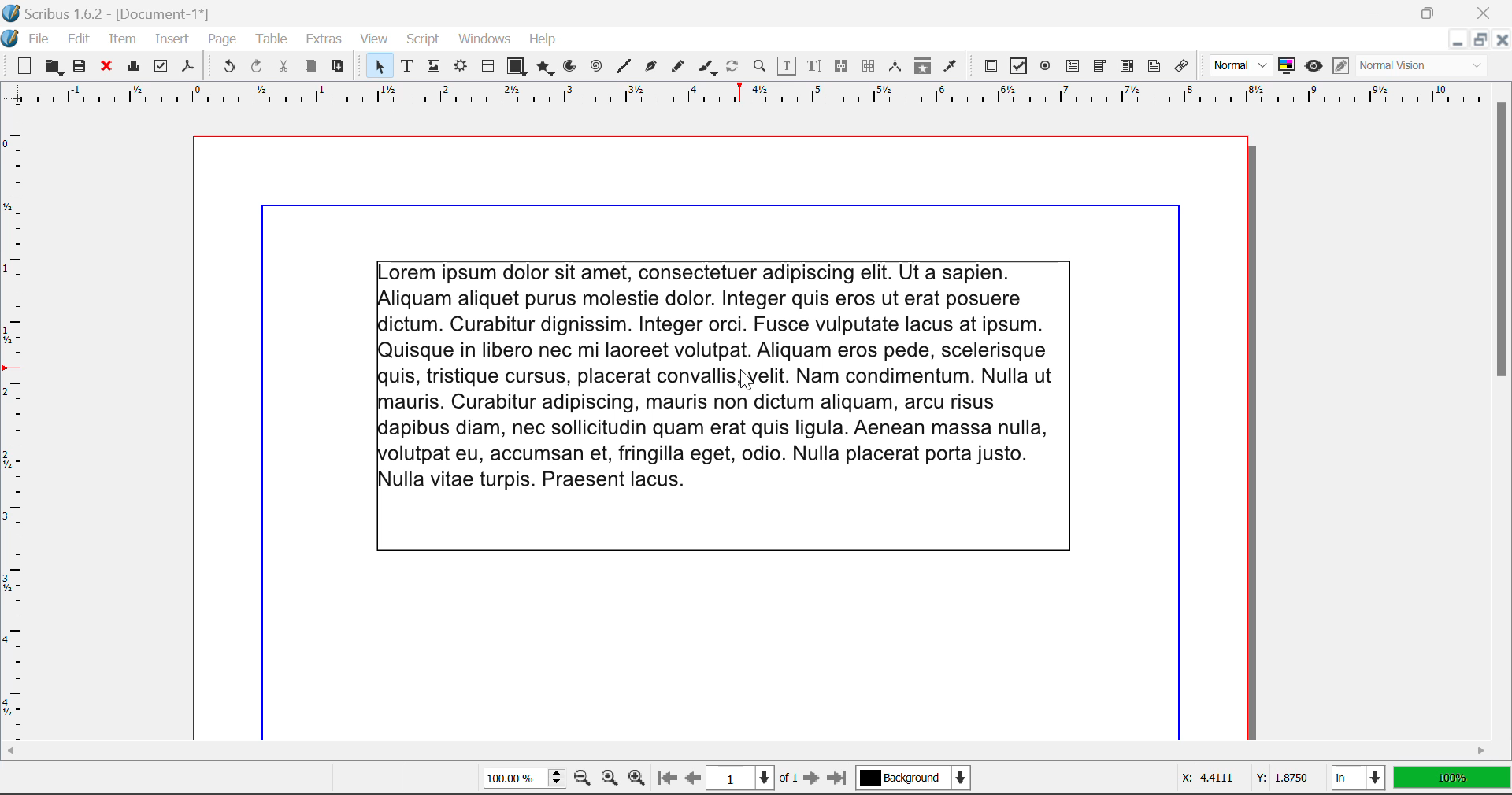 This screenshot has width=1512, height=795. Describe the element at coordinates (760, 65) in the screenshot. I see `Zoom` at that location.